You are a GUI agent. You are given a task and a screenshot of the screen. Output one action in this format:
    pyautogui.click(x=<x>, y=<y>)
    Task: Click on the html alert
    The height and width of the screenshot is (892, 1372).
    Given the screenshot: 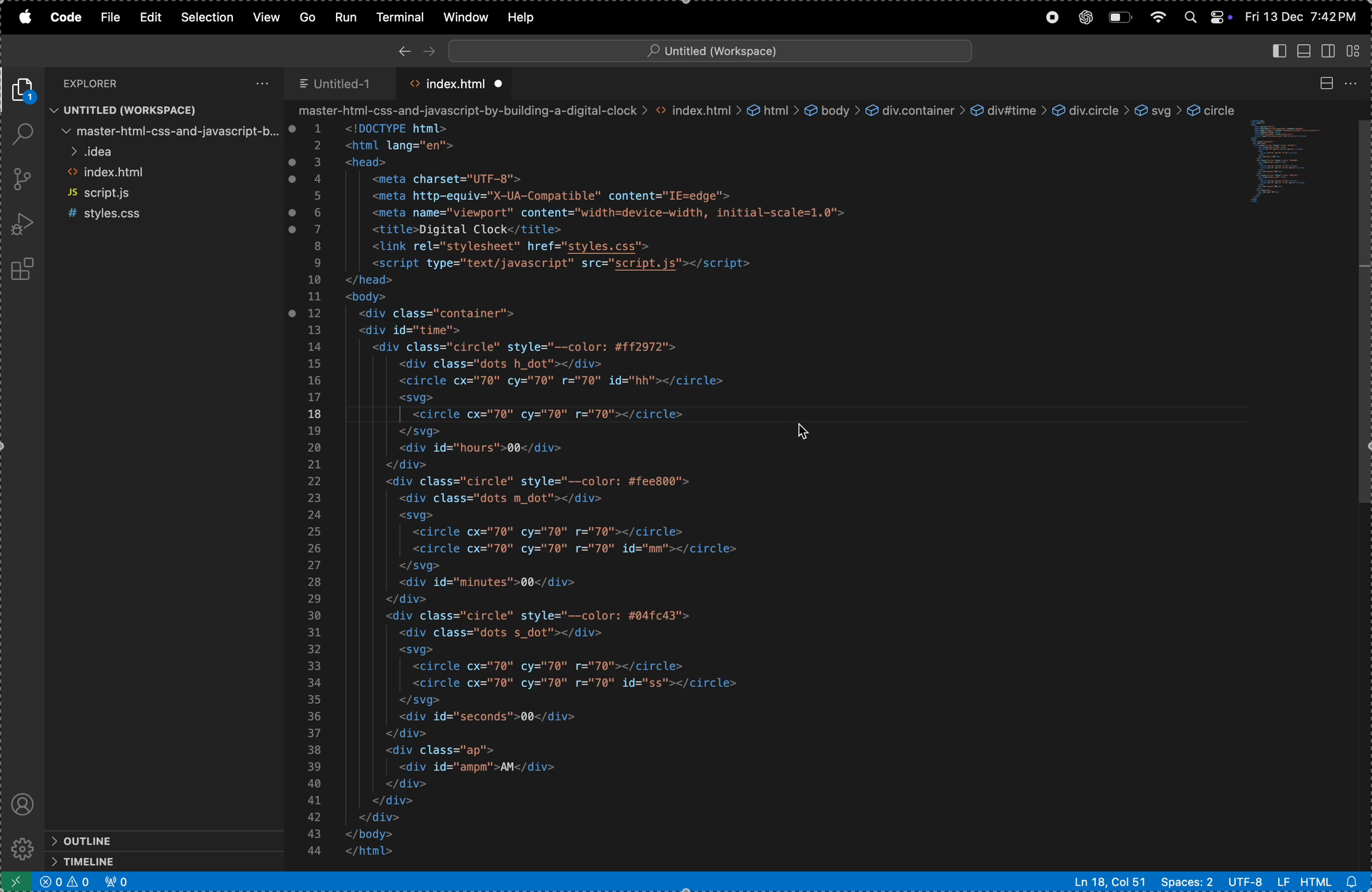 What is the action you would take?
    pyautogui.click(x=1334, y=880)
    